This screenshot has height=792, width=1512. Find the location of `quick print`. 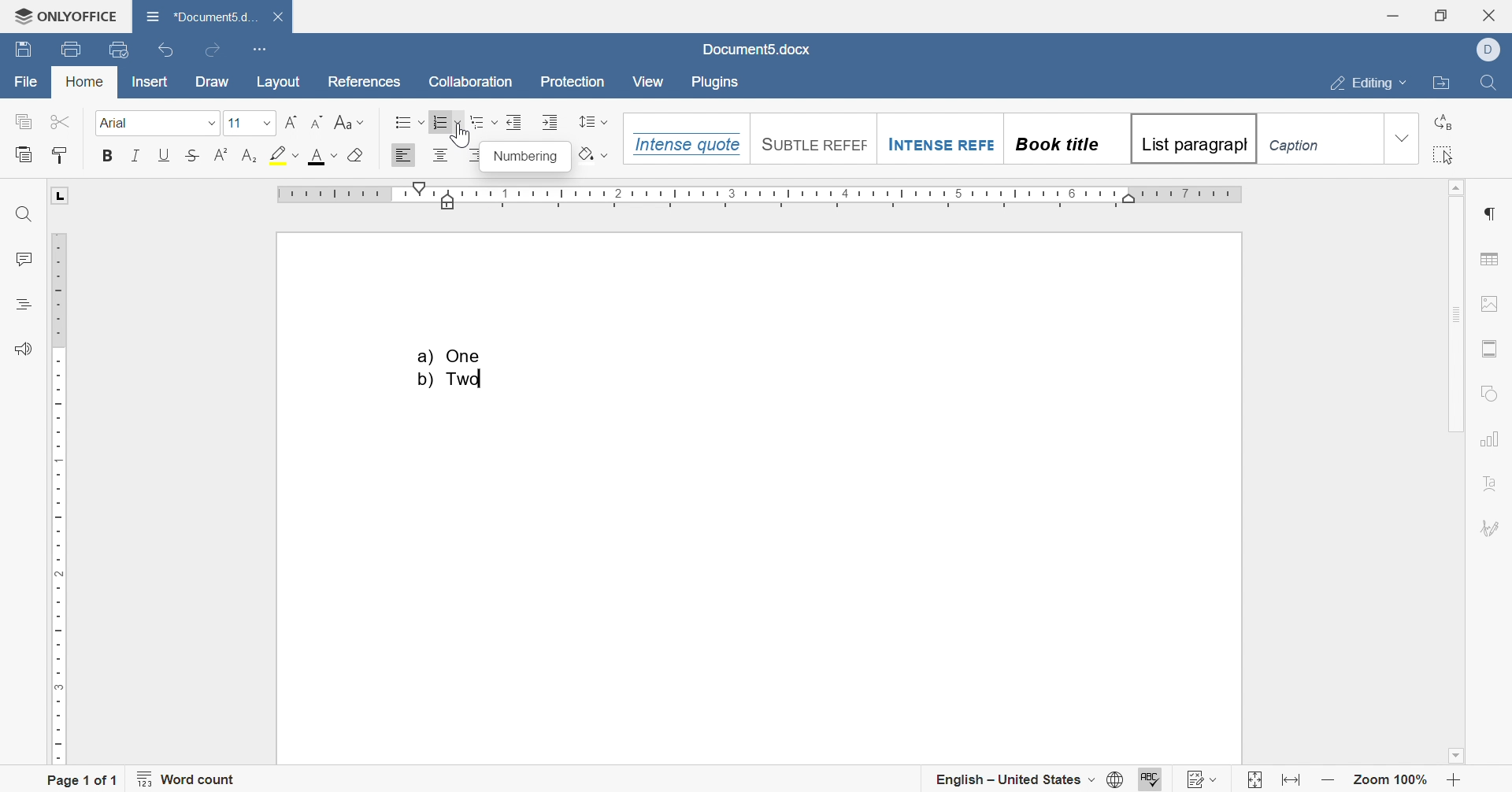

quick print is located at coordinates (120, 49).